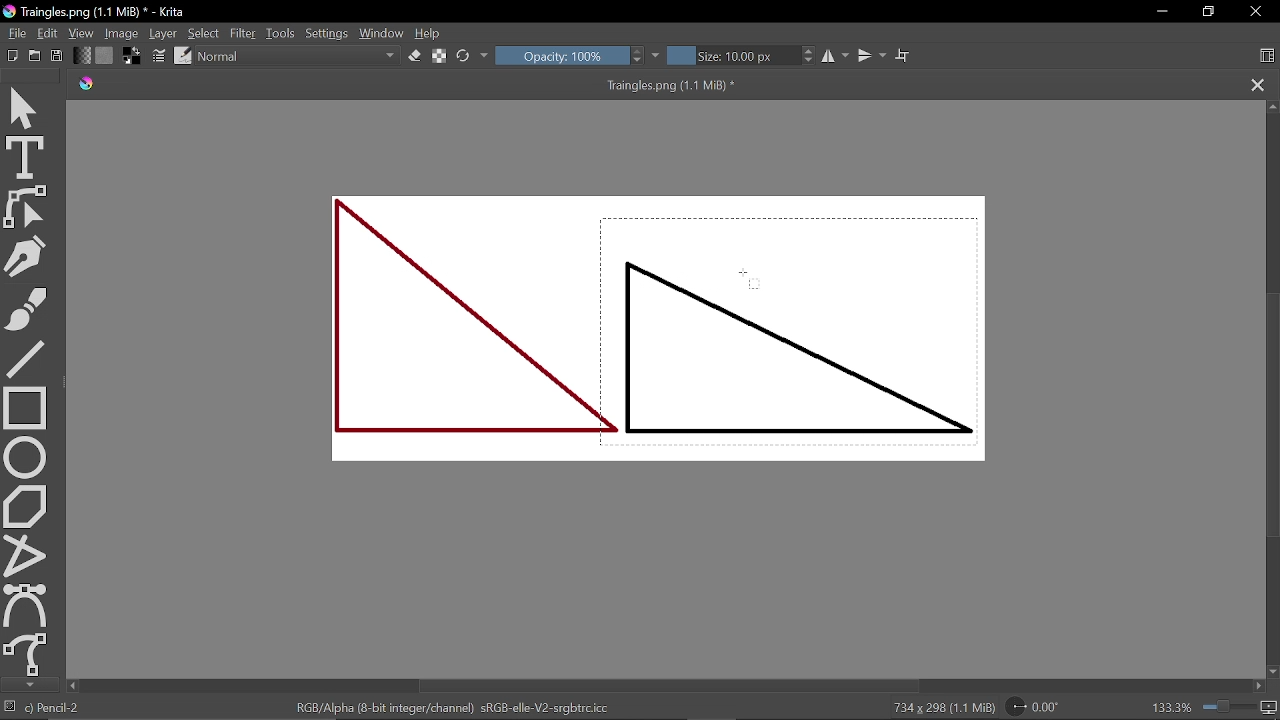  Describe the element at coordinates (58, 57) in the screenshot. I see `Save` at that location.